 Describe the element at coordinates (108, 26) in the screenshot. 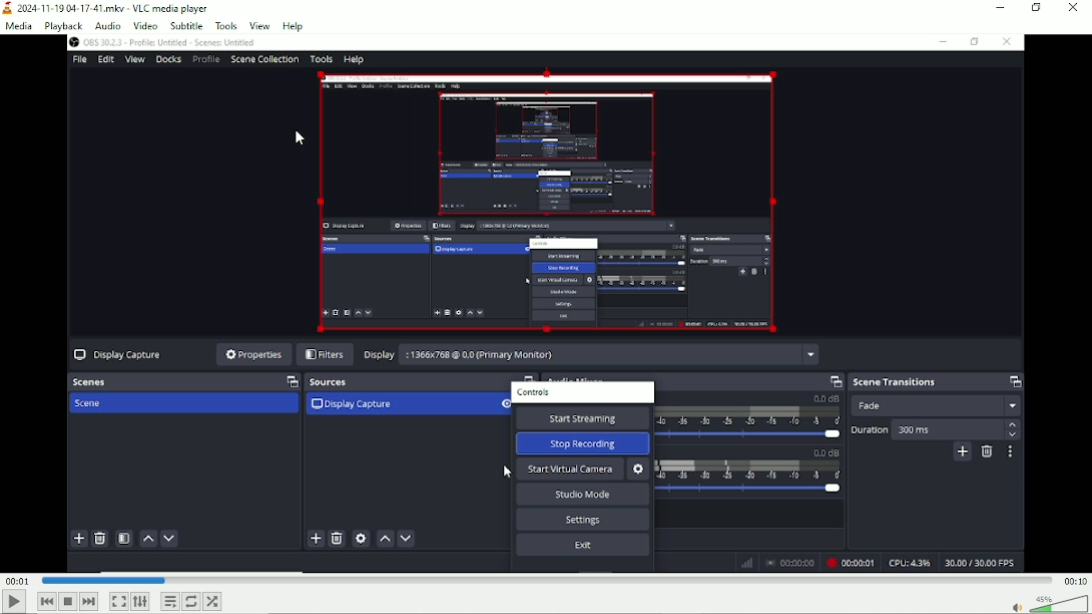

I see `Audio` at that location.